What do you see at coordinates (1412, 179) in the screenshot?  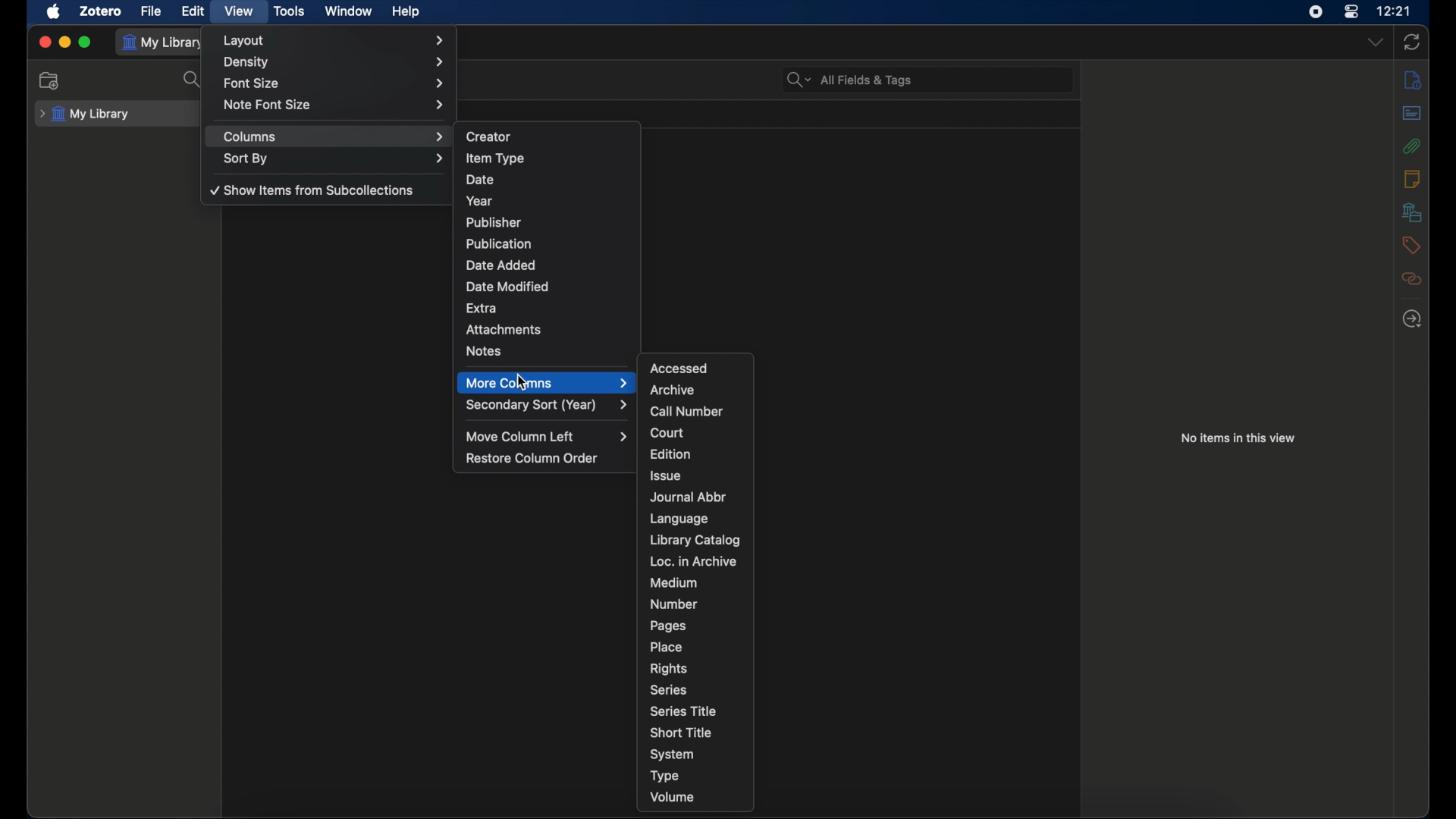 I see `notes` at bounding box center [1412, 179].